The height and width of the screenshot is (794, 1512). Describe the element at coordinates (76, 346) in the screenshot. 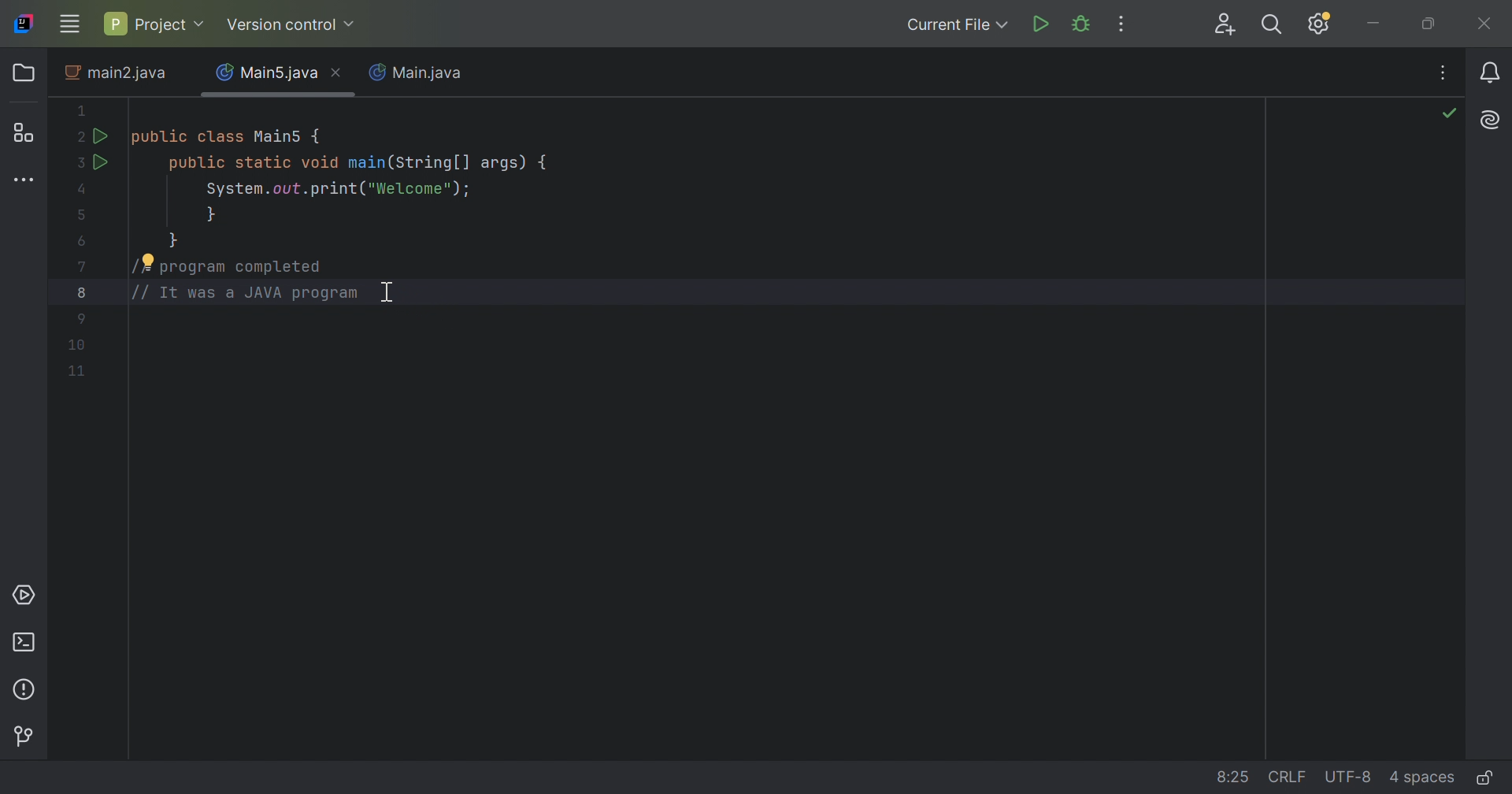

I see `Code lines` at that location.